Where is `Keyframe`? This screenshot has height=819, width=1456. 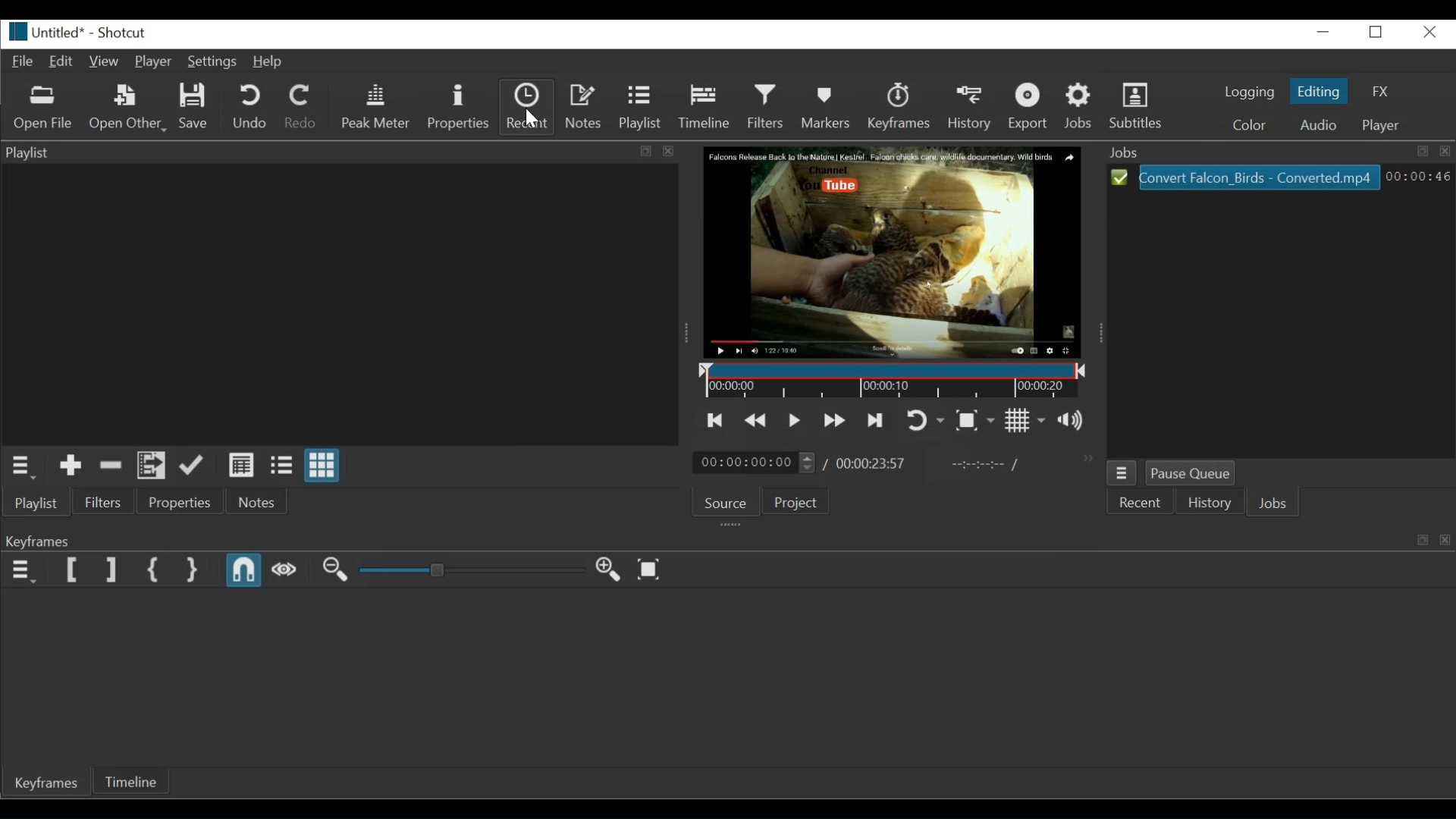
Keyframe is located at coordinates (726, 541).